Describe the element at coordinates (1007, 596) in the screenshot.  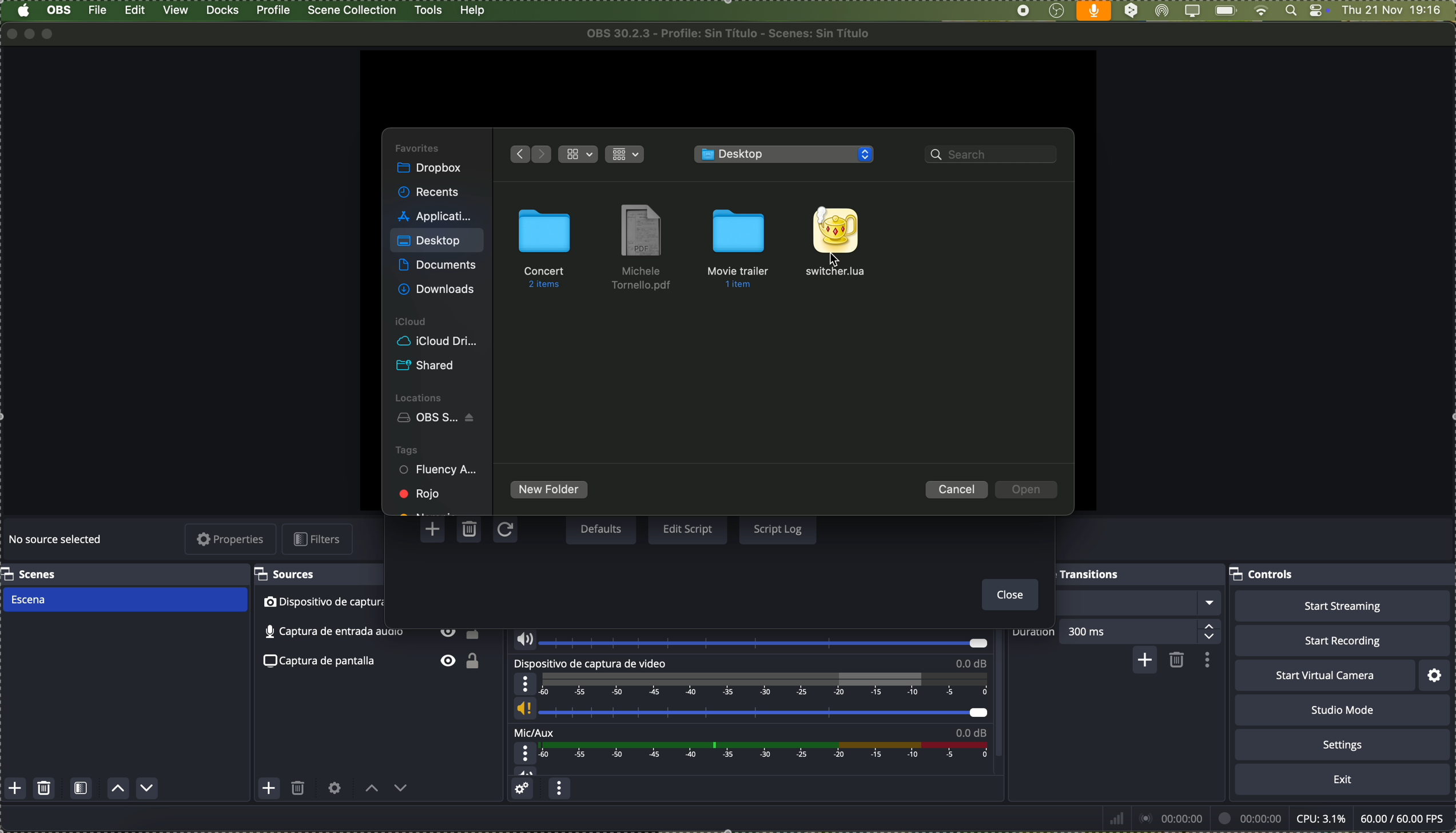
I see `close` at that location.